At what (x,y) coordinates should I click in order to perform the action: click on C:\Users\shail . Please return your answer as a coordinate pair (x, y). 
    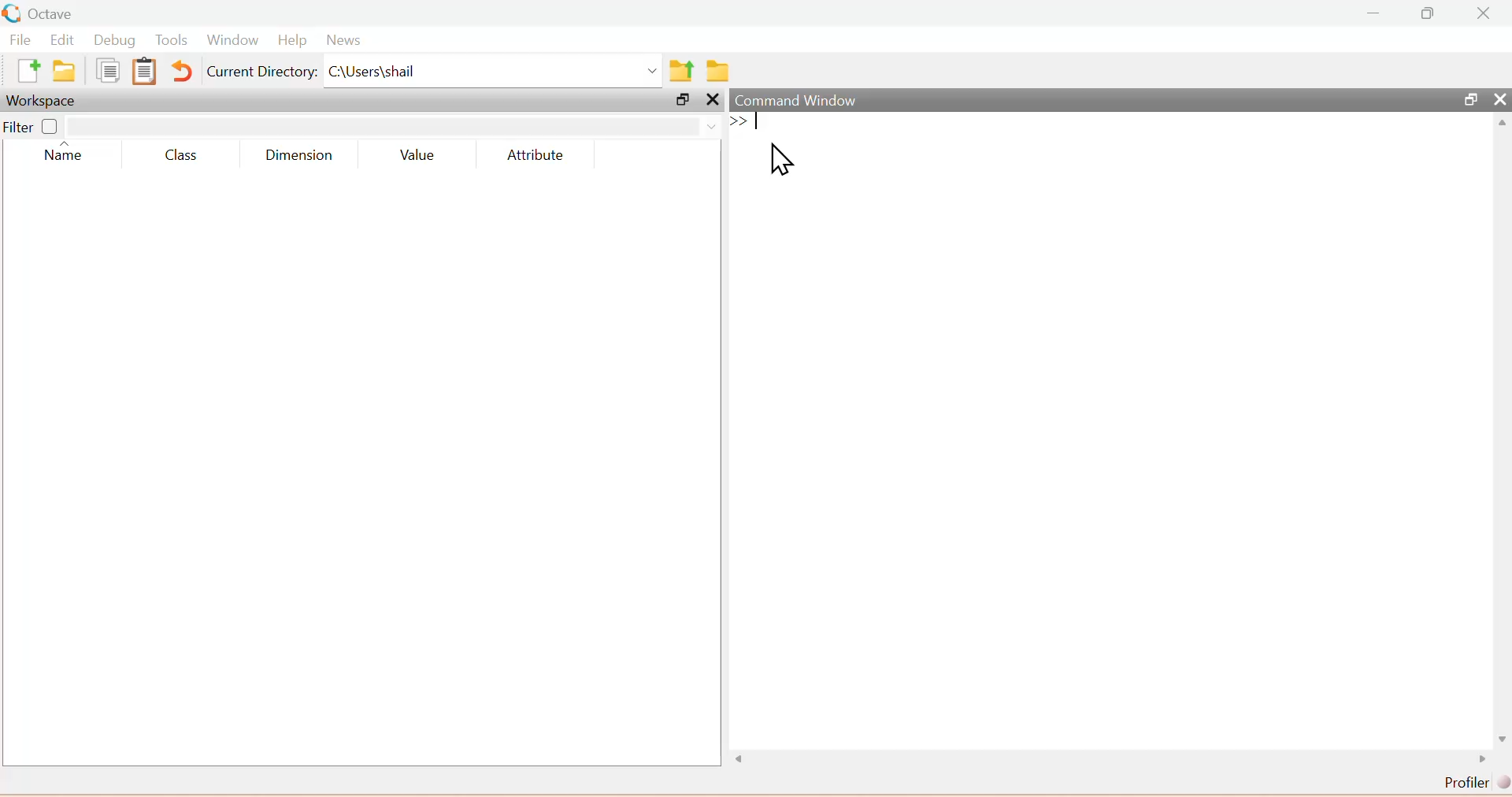
    Looking at the image, I should click on (495, 74).